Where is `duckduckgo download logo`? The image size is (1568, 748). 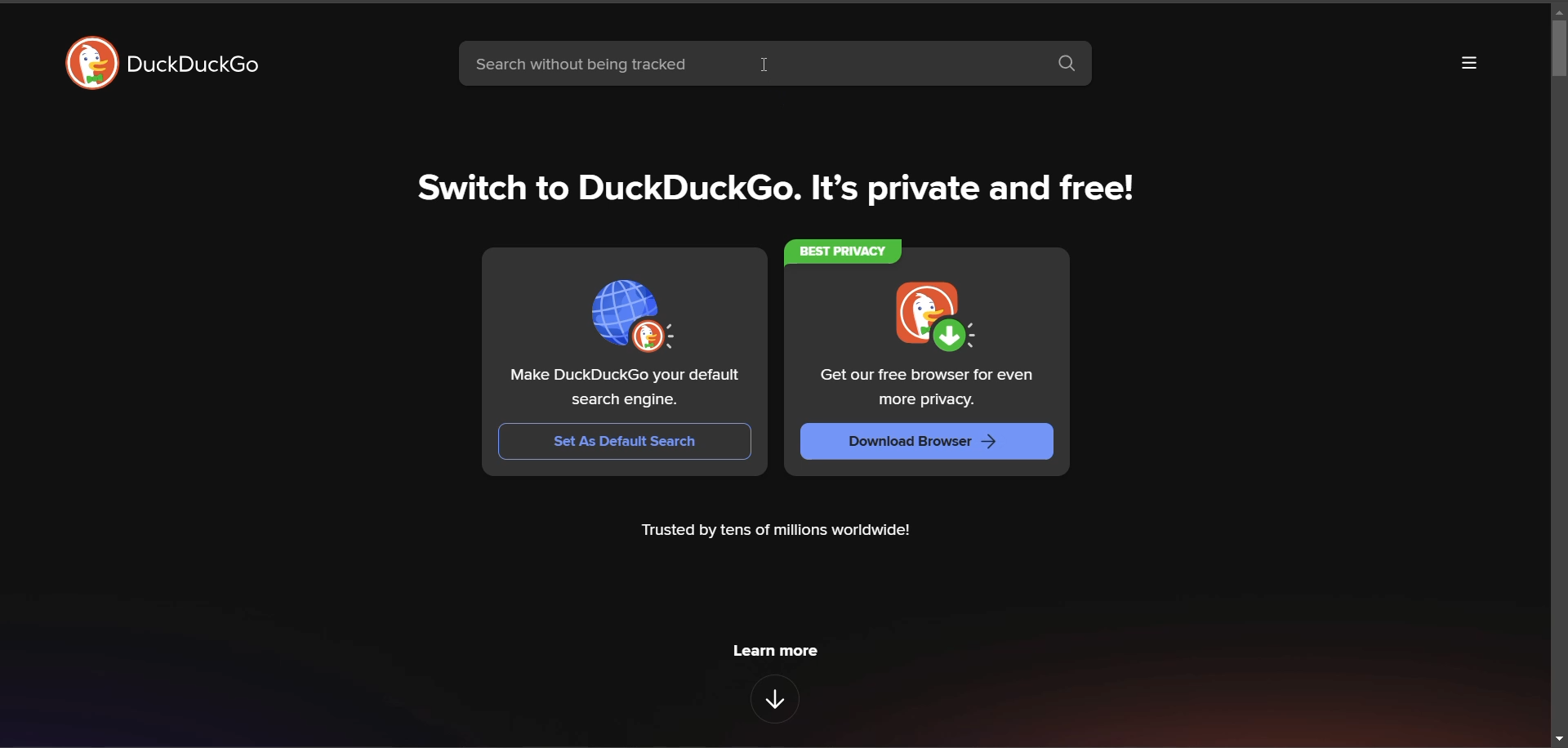
duckduckgo download logo is located at coordinates (938, 315).